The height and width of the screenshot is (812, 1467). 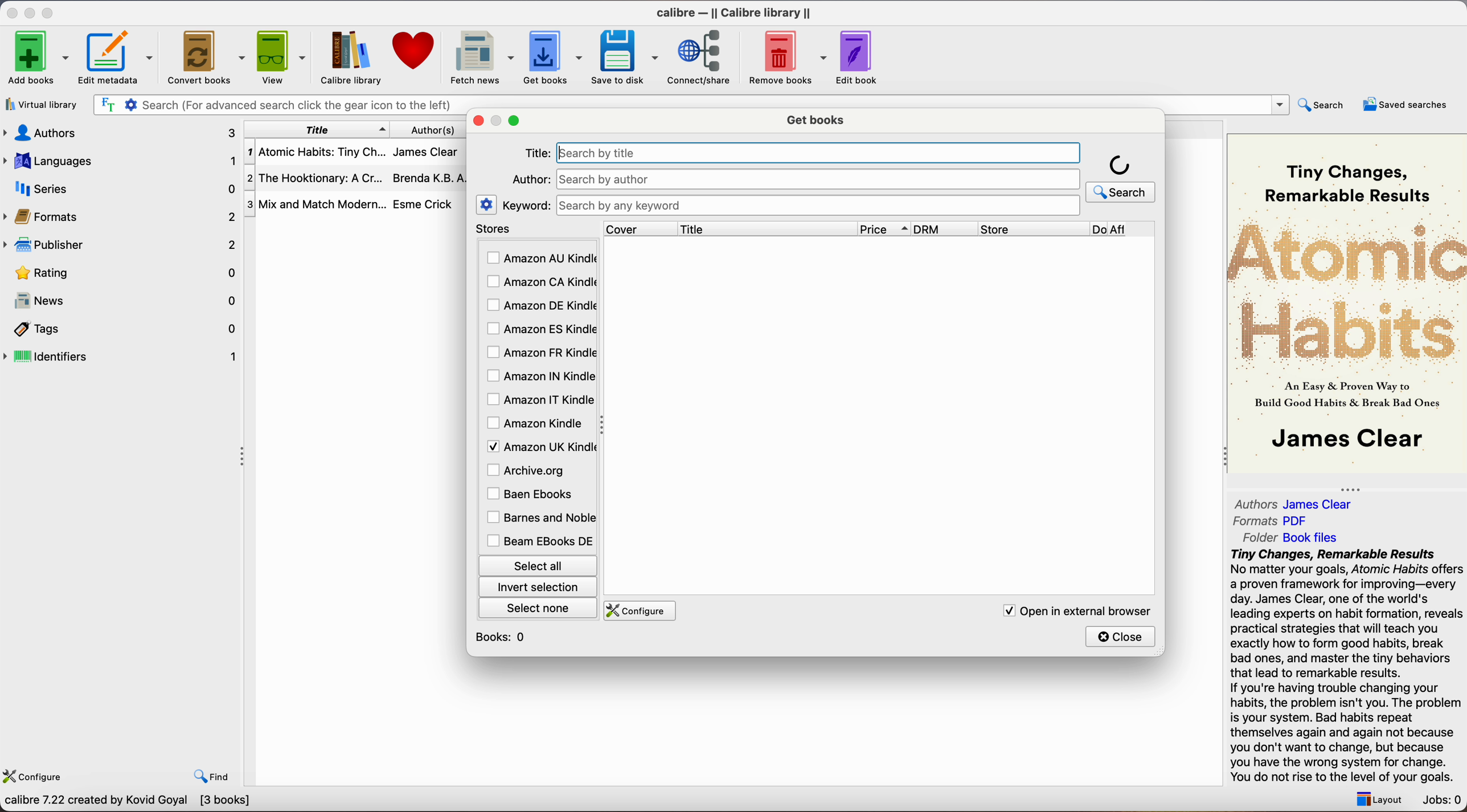 I want to click on keyword, so click(x=526, y=205).